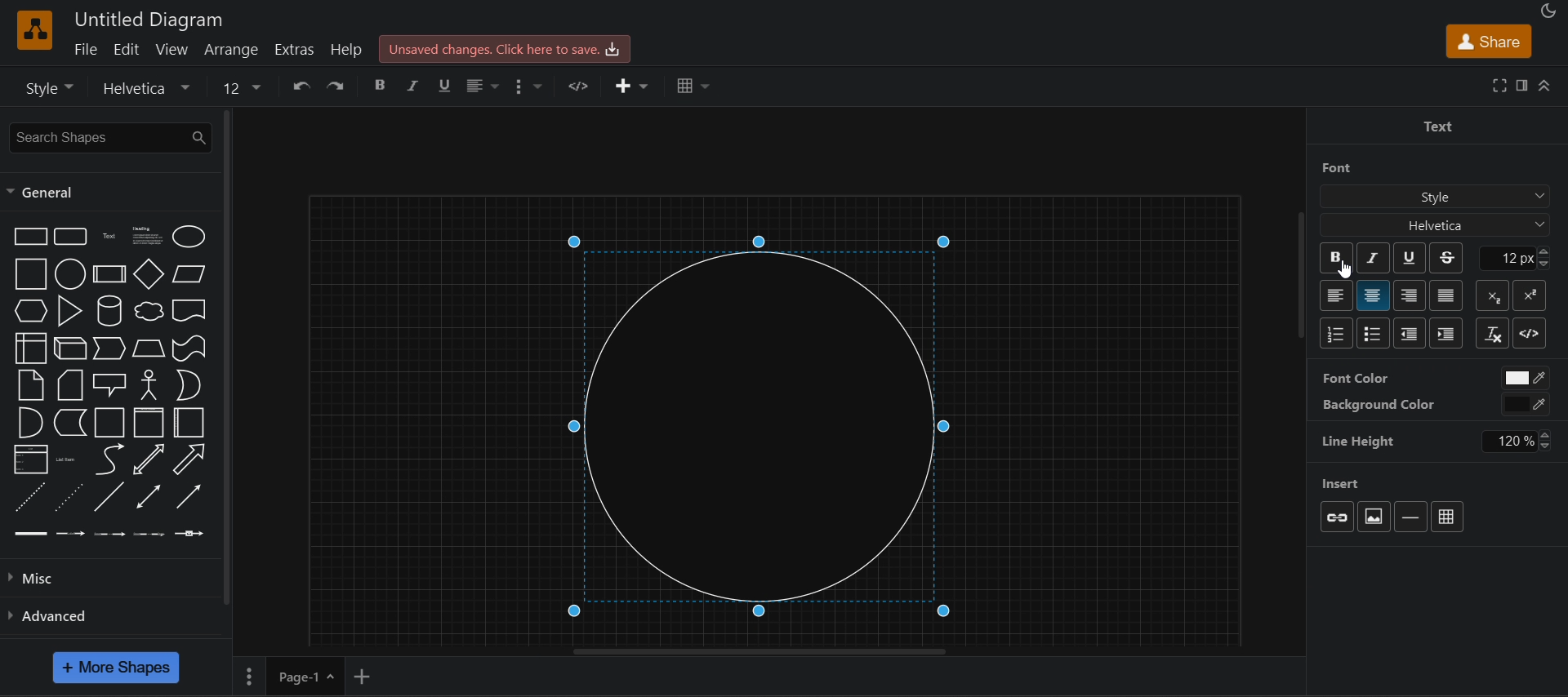 The height and width of the screenshot is (697, 1568). I want to click on subscript, so click(1490, 295).